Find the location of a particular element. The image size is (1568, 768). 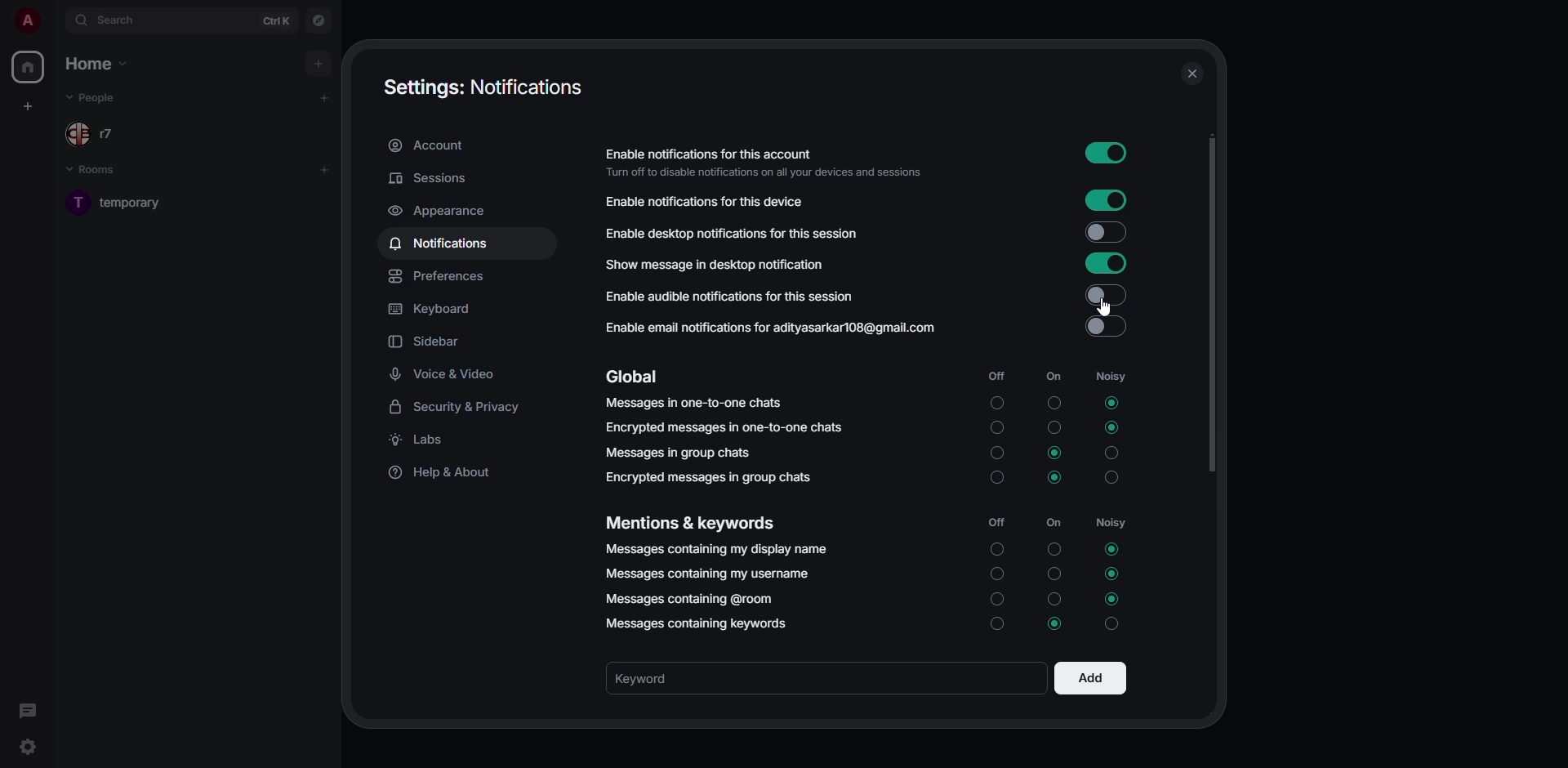

create space is located at coordinates (28, 107).